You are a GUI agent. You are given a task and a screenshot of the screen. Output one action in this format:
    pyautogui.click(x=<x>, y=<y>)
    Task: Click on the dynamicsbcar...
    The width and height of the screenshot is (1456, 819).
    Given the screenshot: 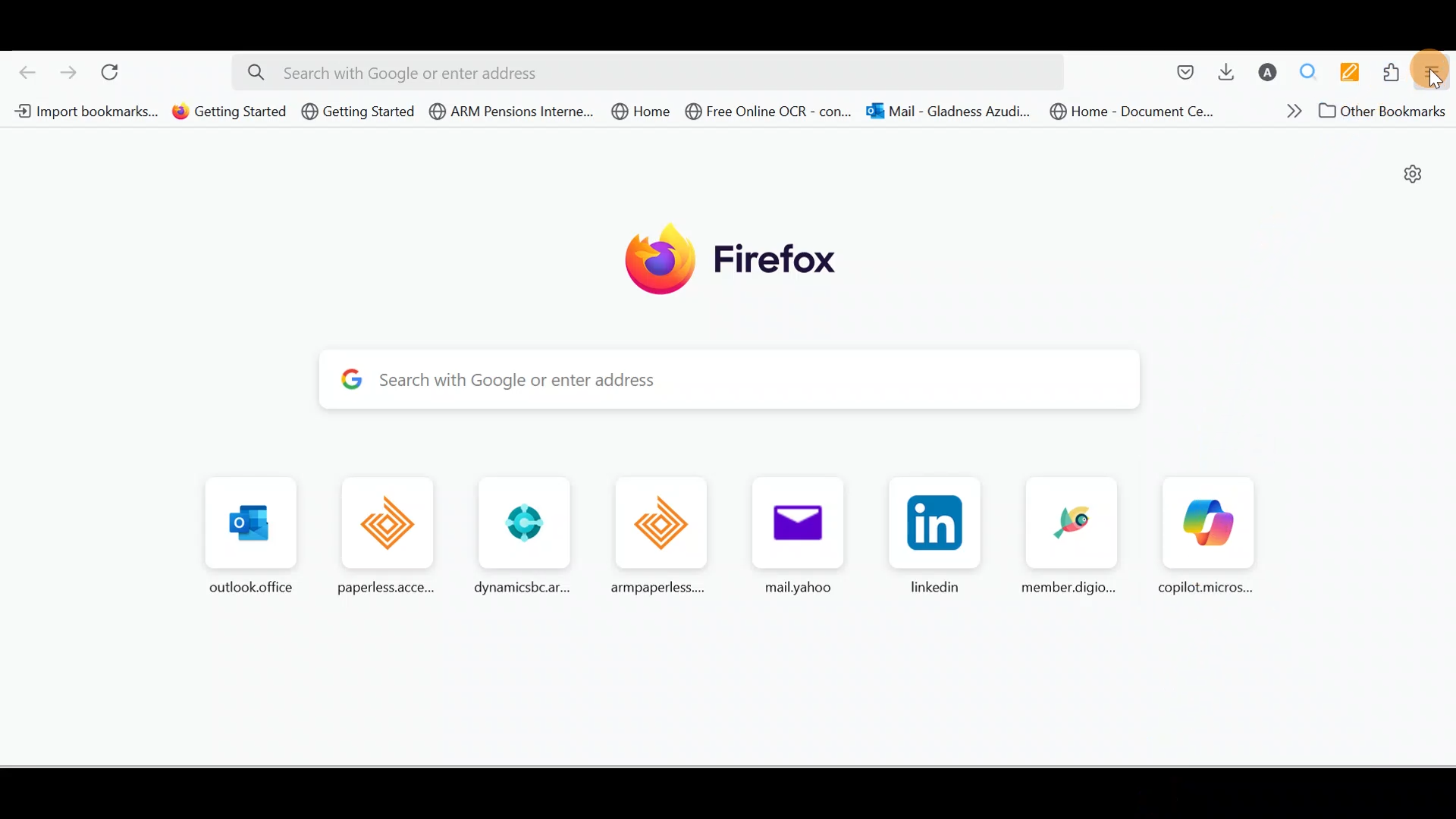 What is the action you would take?
    pyautogui.click(x=520, y=536)
    